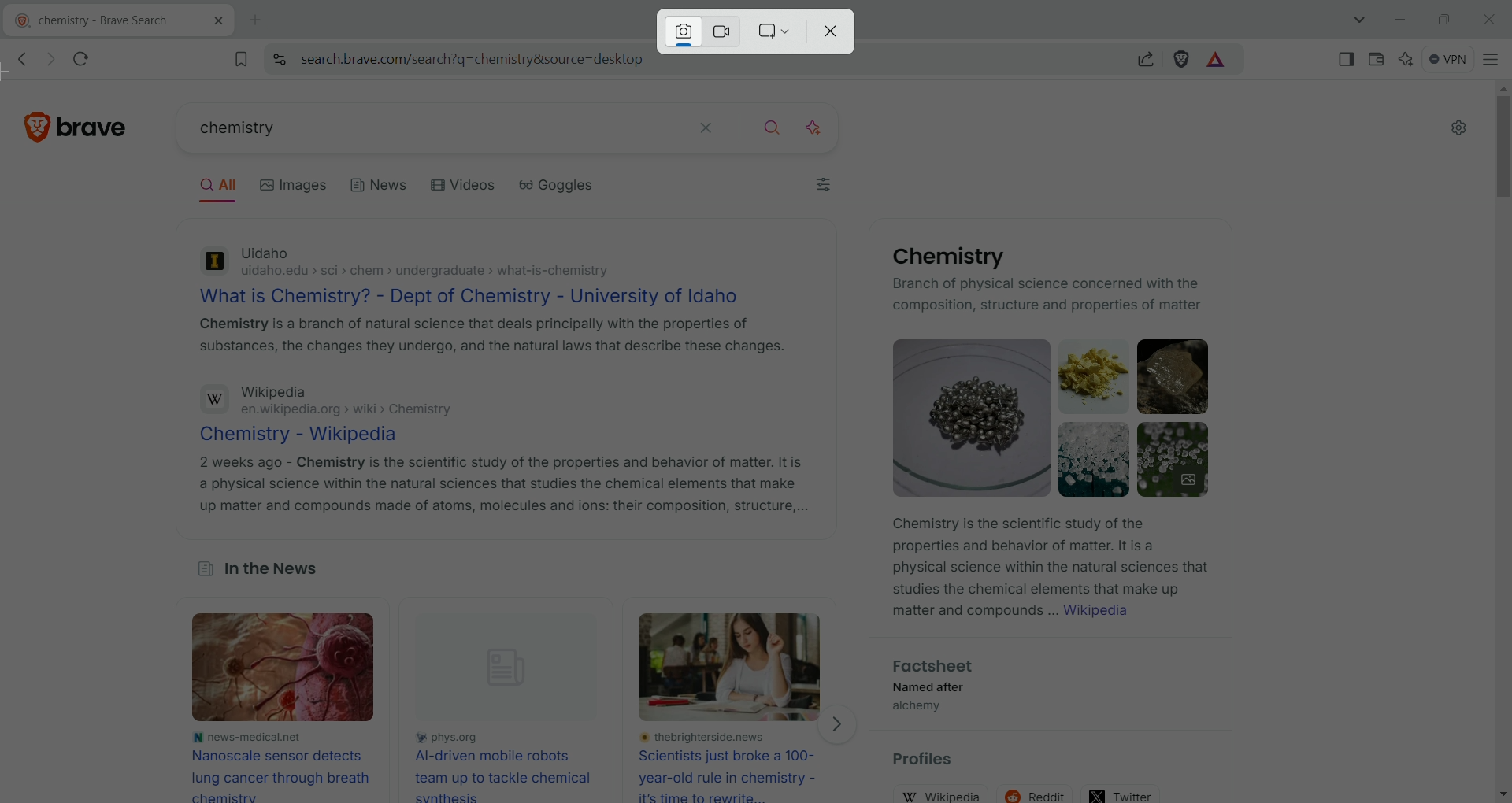  I want to click on customize and control Brave, so click(1492, 58).